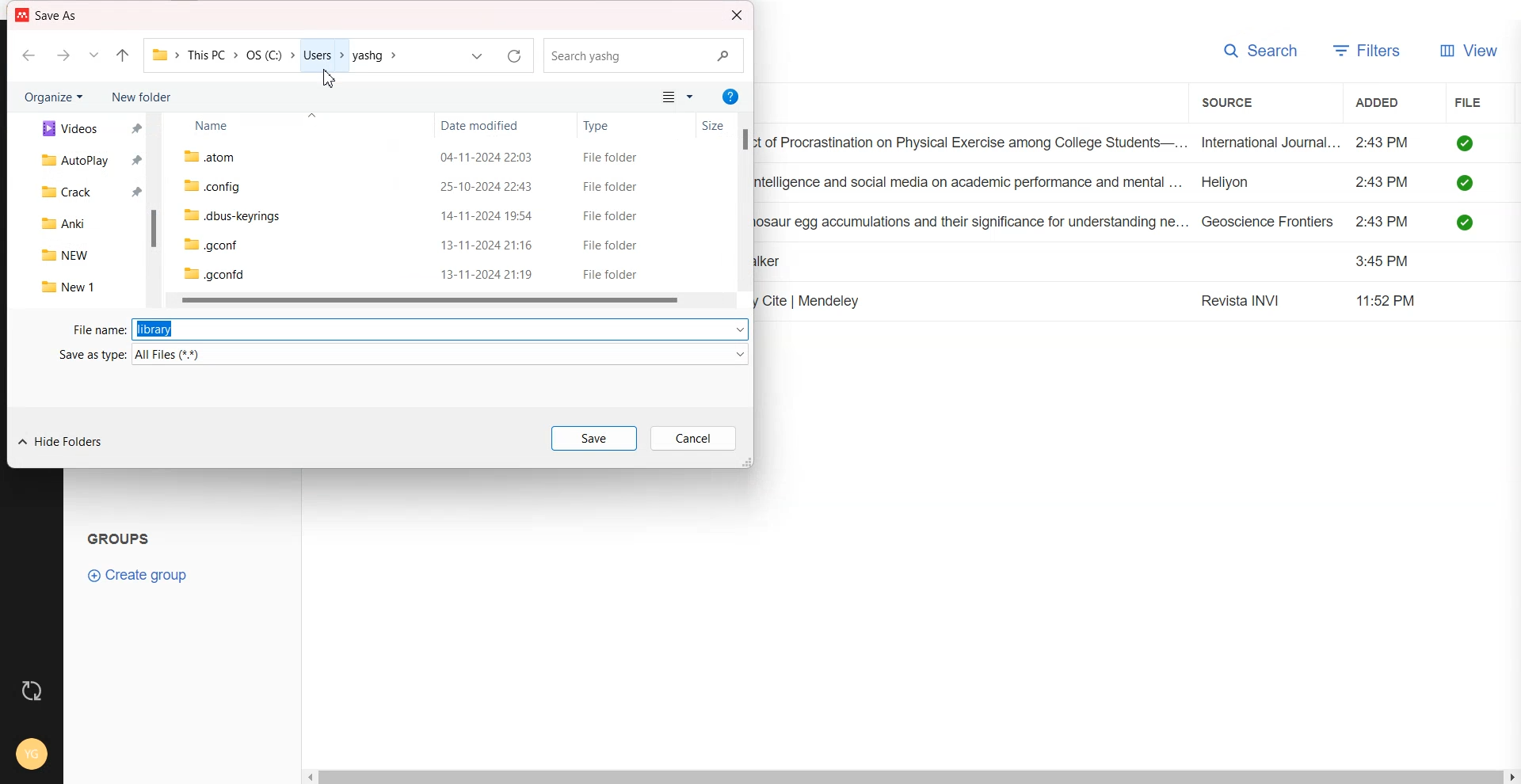  I want to click on > ThisPC > OS(C) > Users > yashg >, so click(274, 55).